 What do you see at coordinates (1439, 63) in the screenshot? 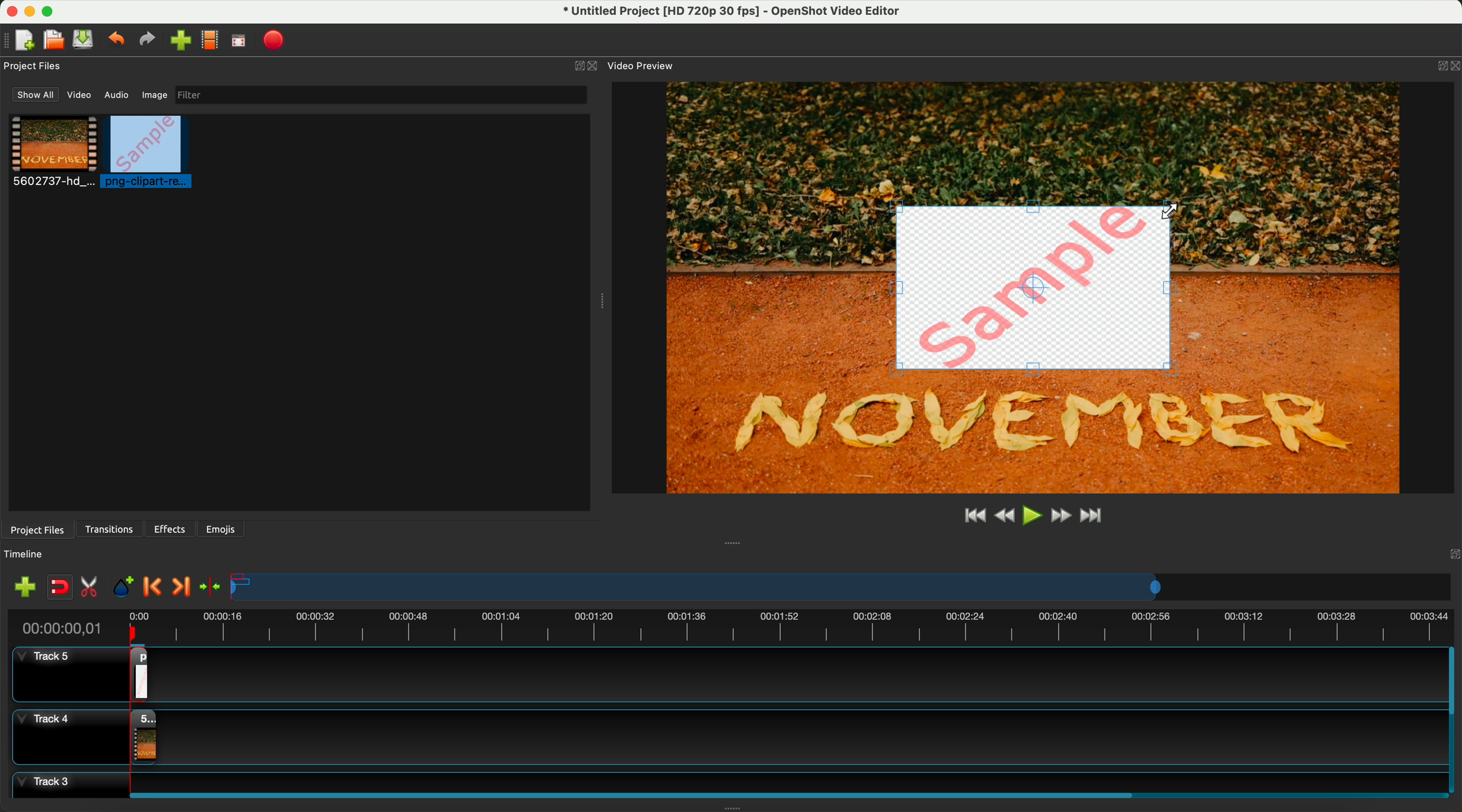
I see `BUTTON` at bounding box center [1439, 63].